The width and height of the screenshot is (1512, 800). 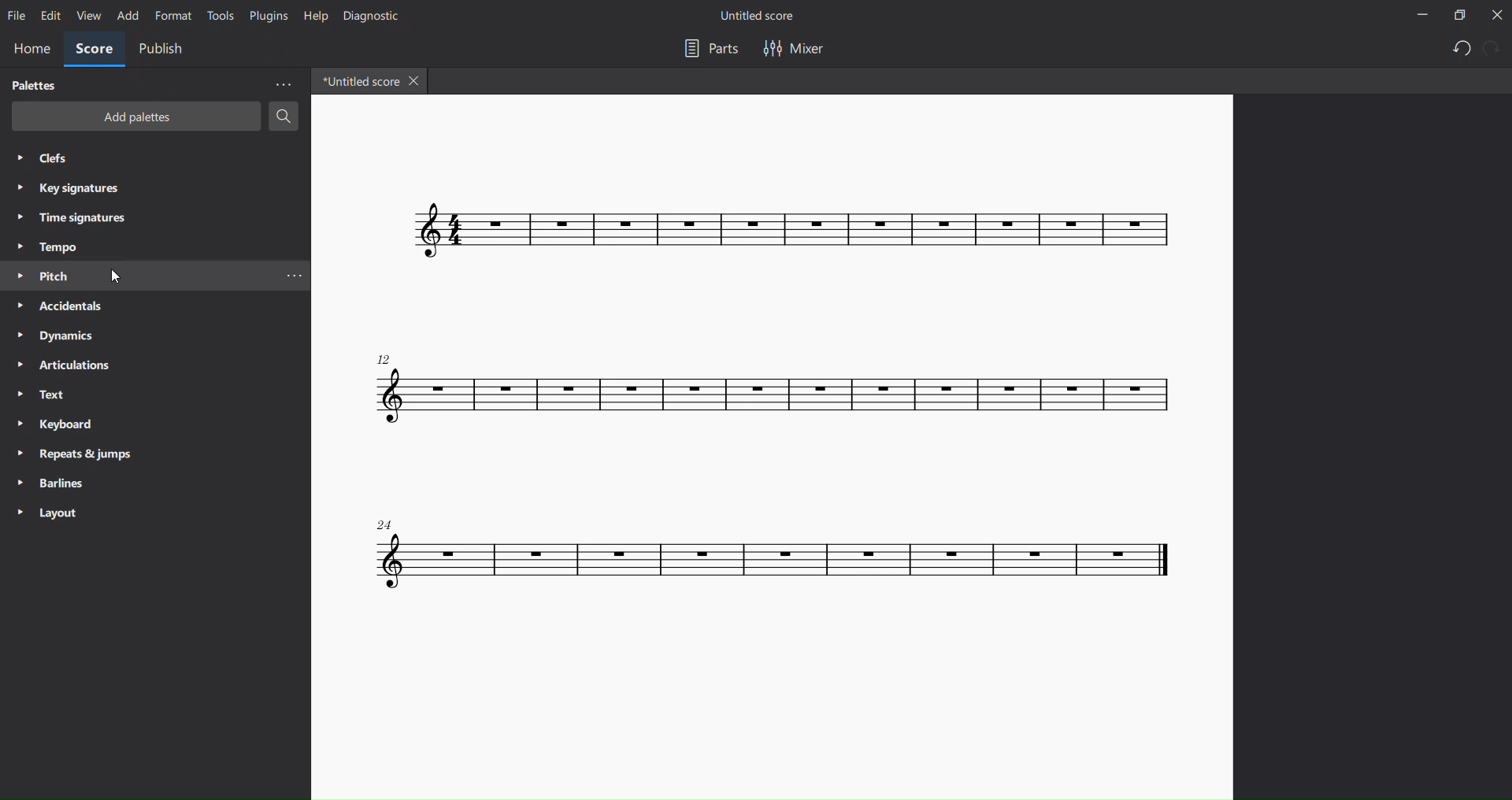 What do you see at coordinates (92, 50) in the screenshot?
I see `score` at bounding box center [92, 50].